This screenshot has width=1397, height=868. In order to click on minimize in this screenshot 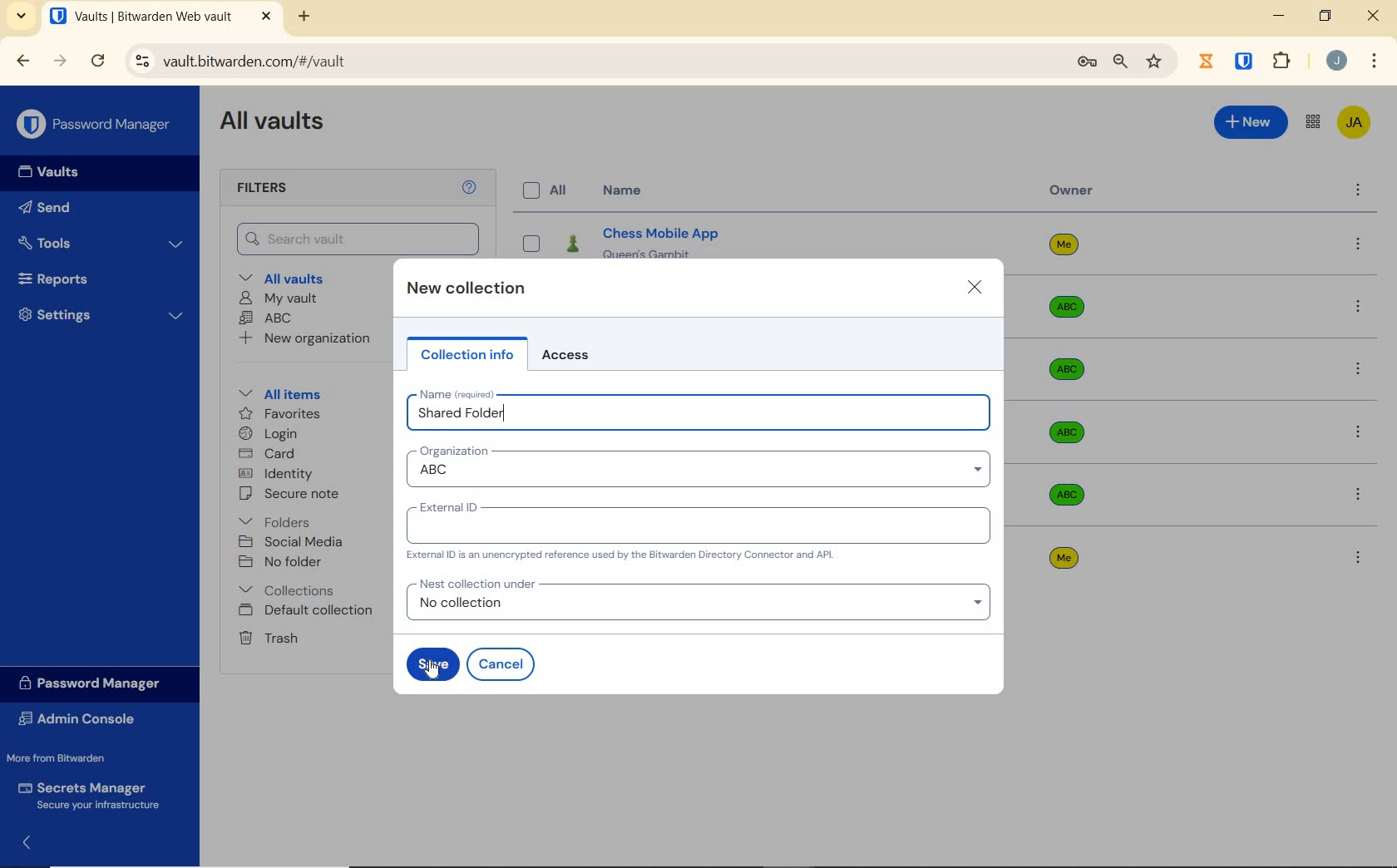, I will do `click(1281, 16)`.